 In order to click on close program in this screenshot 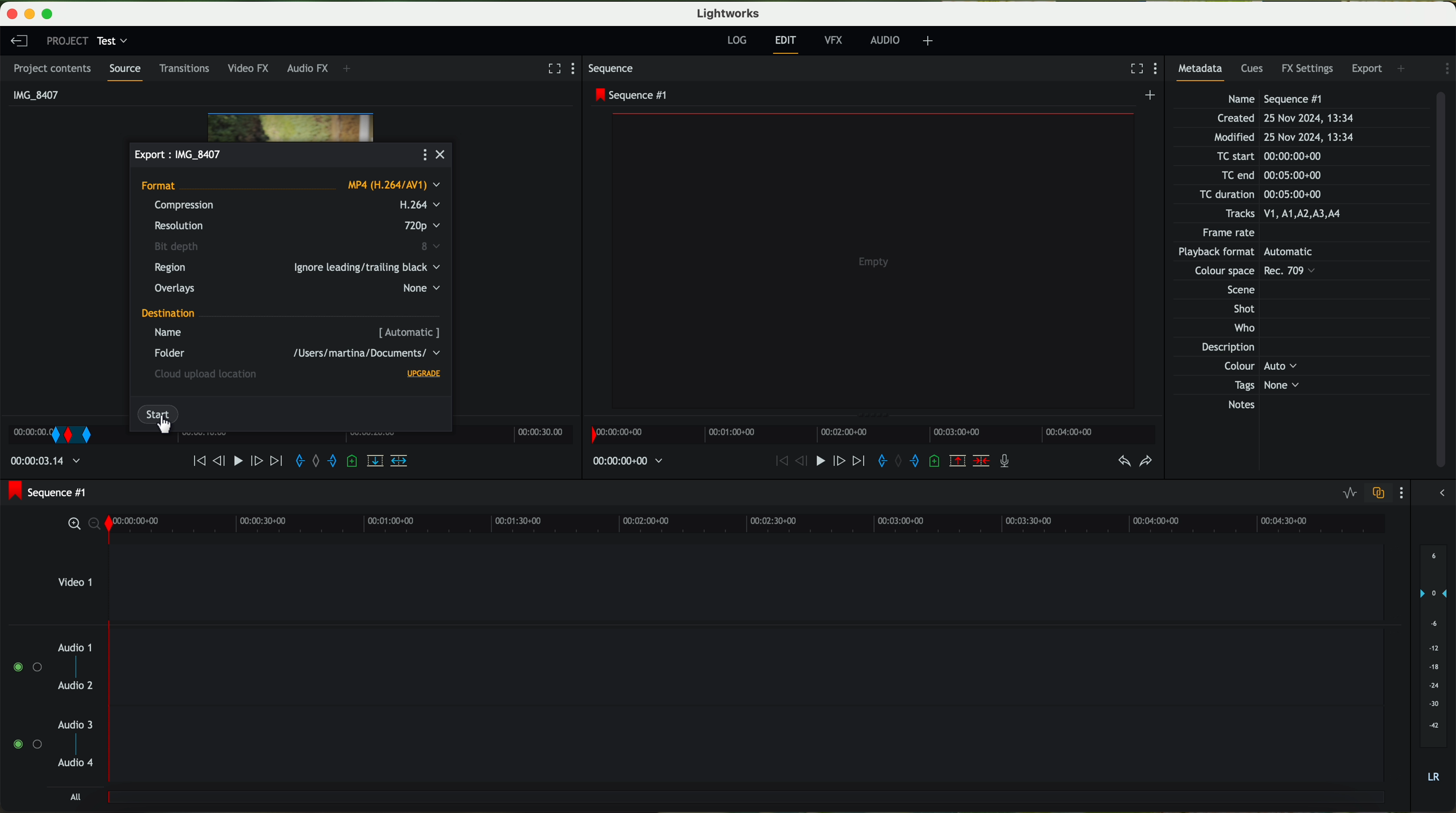, I will do `click(10, 14)`.